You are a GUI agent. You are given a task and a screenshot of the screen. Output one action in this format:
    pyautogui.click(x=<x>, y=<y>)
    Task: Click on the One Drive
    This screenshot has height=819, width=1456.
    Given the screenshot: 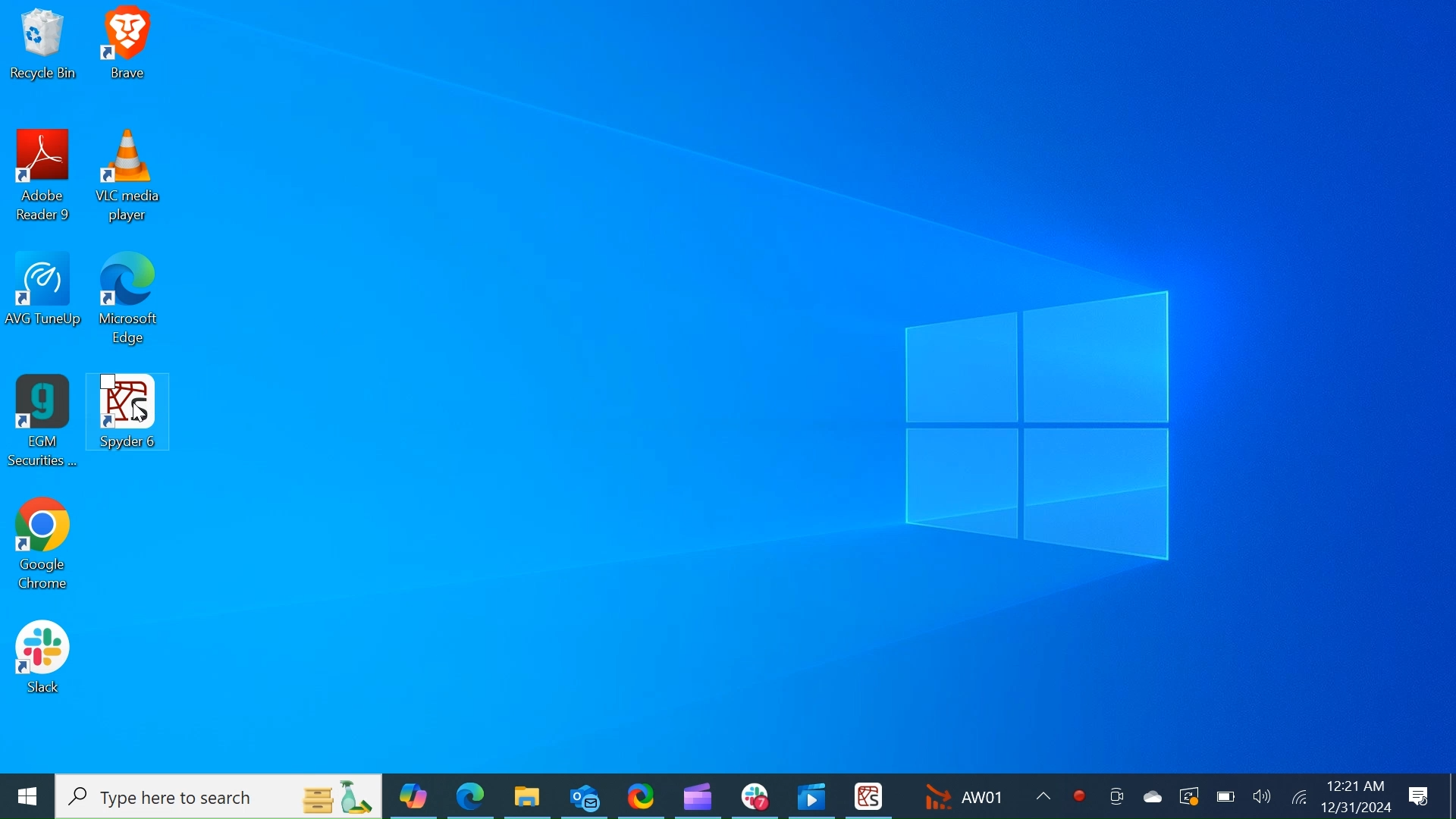 What is the action you would take?
    pyautogui.click(x=1153, y=795)
    